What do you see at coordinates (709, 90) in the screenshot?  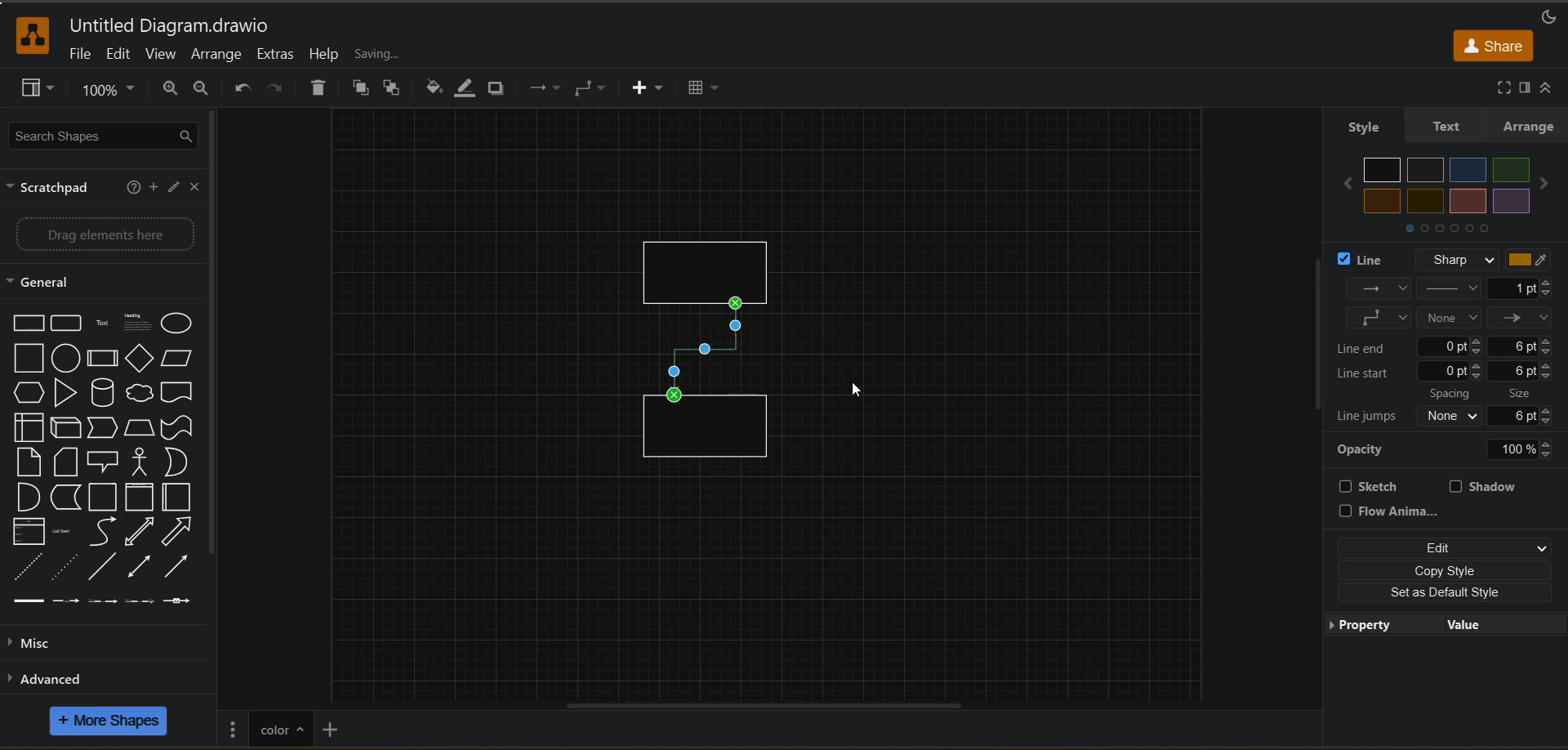 I see `table` at bounding box center [709, 90].